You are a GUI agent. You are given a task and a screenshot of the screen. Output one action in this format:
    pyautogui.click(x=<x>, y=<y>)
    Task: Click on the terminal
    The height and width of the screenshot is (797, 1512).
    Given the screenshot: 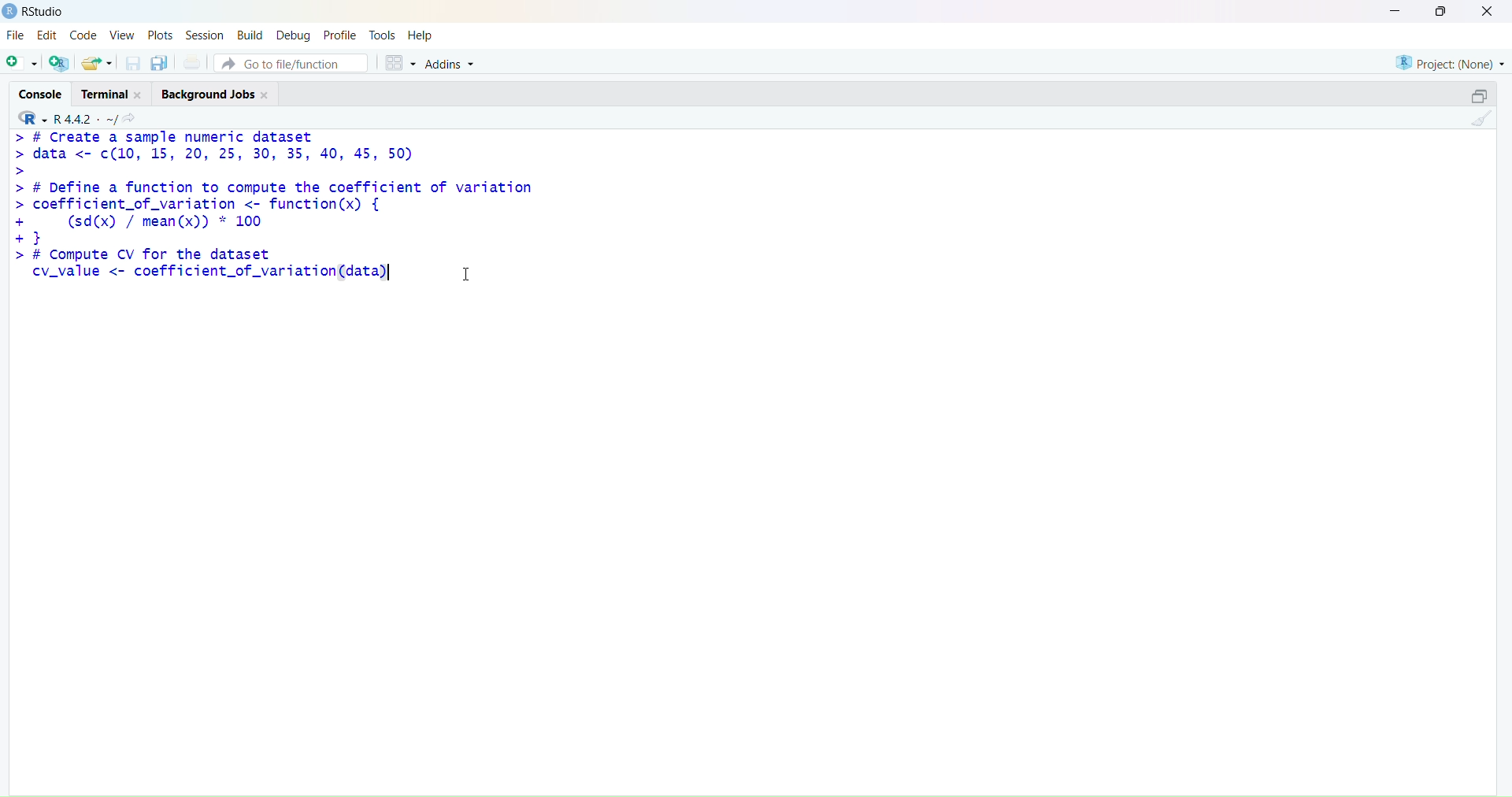 What is the action you would take?
    pyautogui.click(x=106, y=95)
    